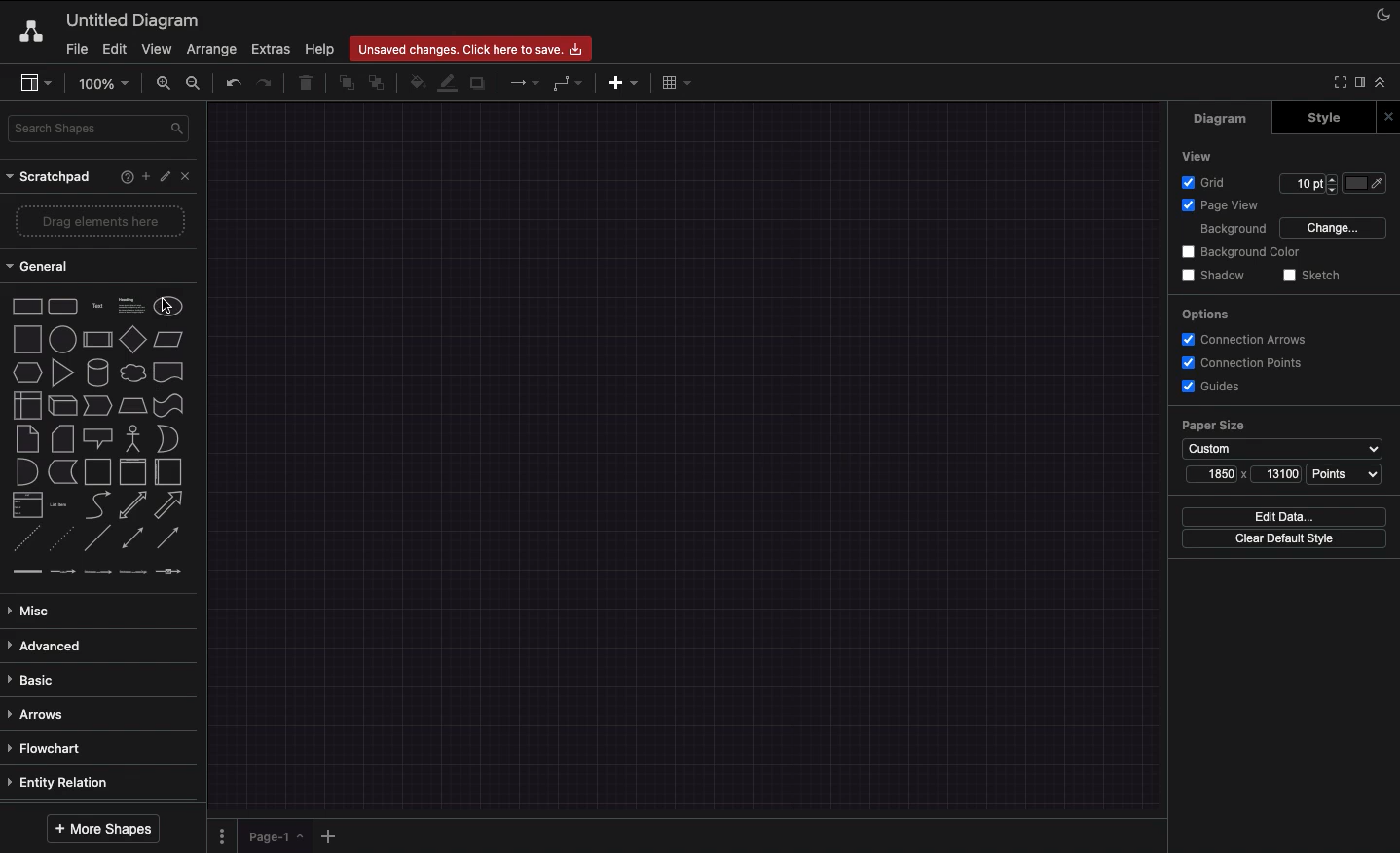  I want to click on To back, so click(380, 82).